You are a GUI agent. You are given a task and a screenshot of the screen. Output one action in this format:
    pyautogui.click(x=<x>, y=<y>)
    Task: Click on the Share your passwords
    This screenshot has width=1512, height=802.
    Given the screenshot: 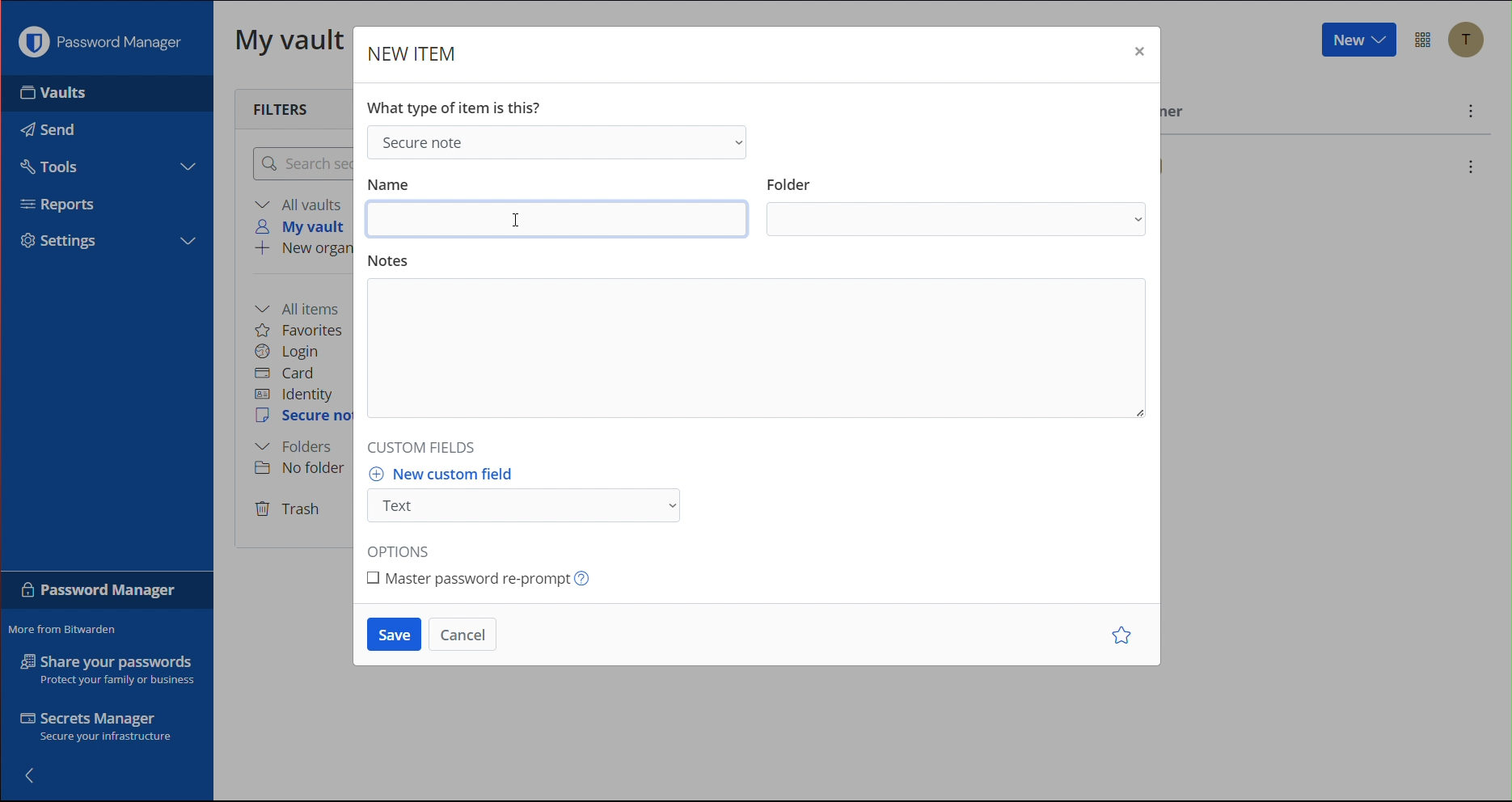 What is the action you would take?
    pyautogui.click(x=108, y=669)
    